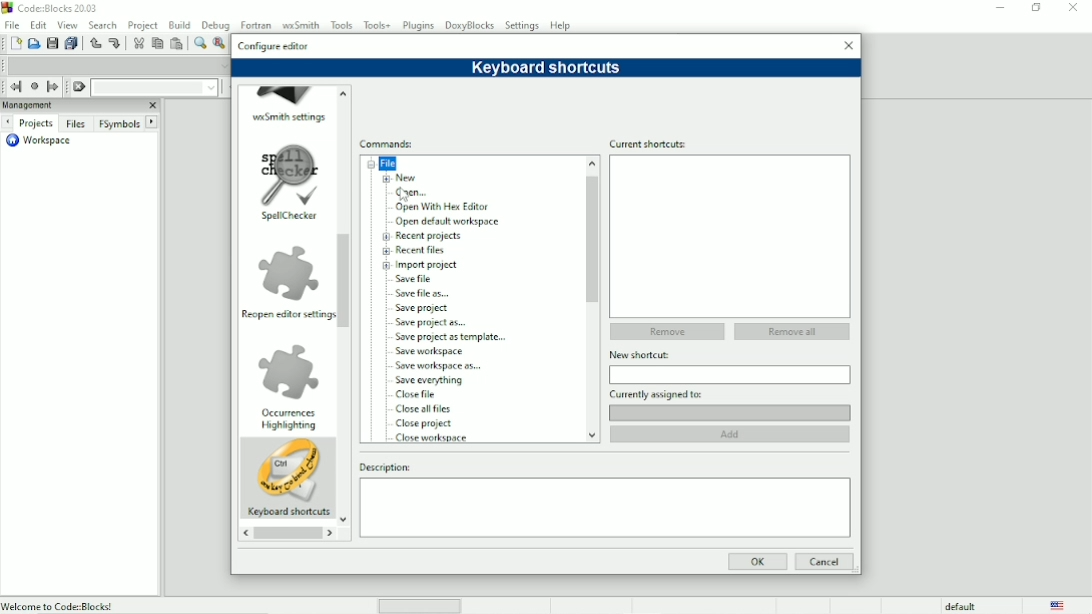 The image size is (1092, 614). Describe the element at coordinates (429, 265) in the screenshot. I see `Import project` at that location.